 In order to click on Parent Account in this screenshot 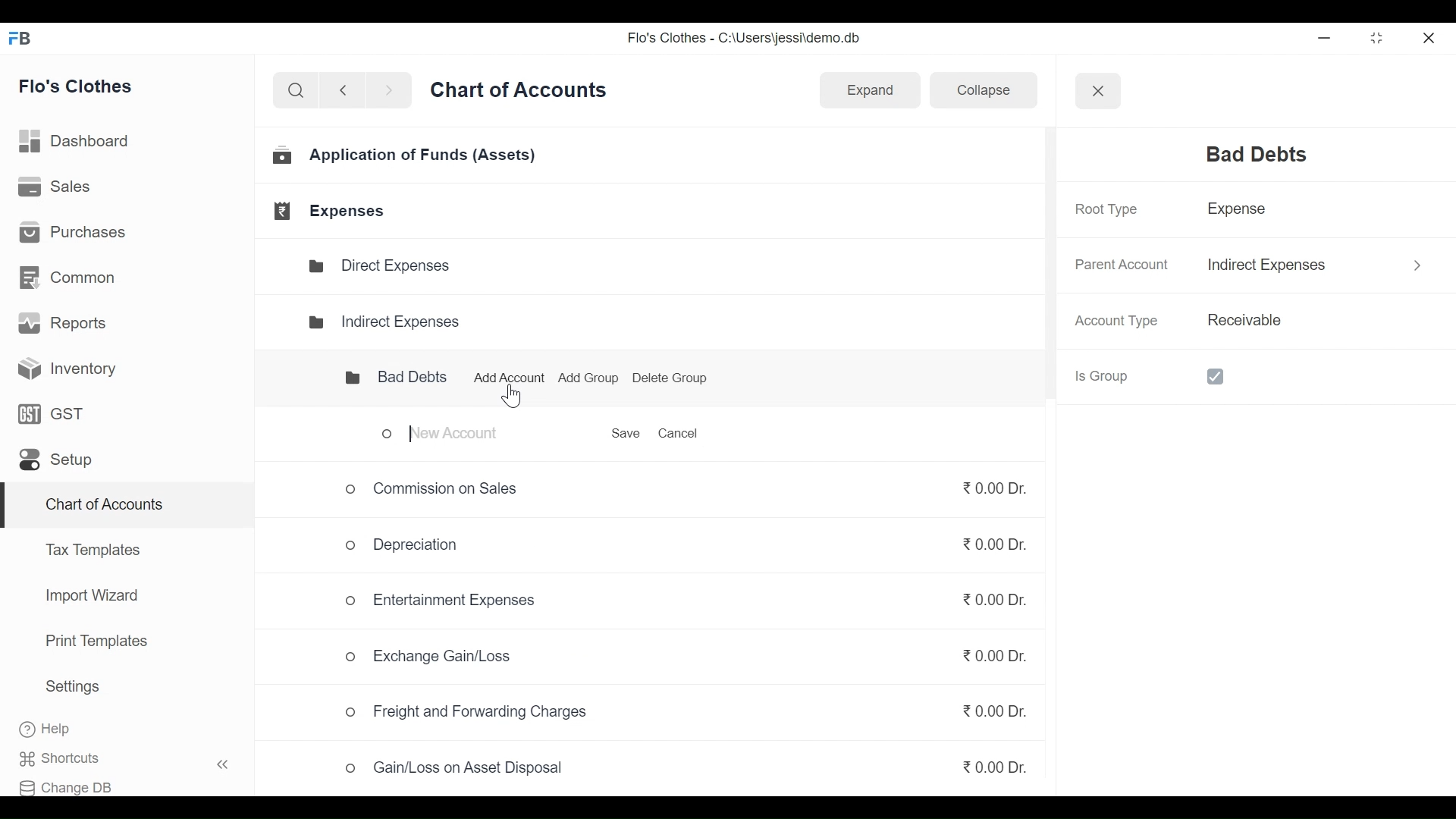, I will do `click(1119, 265)`.